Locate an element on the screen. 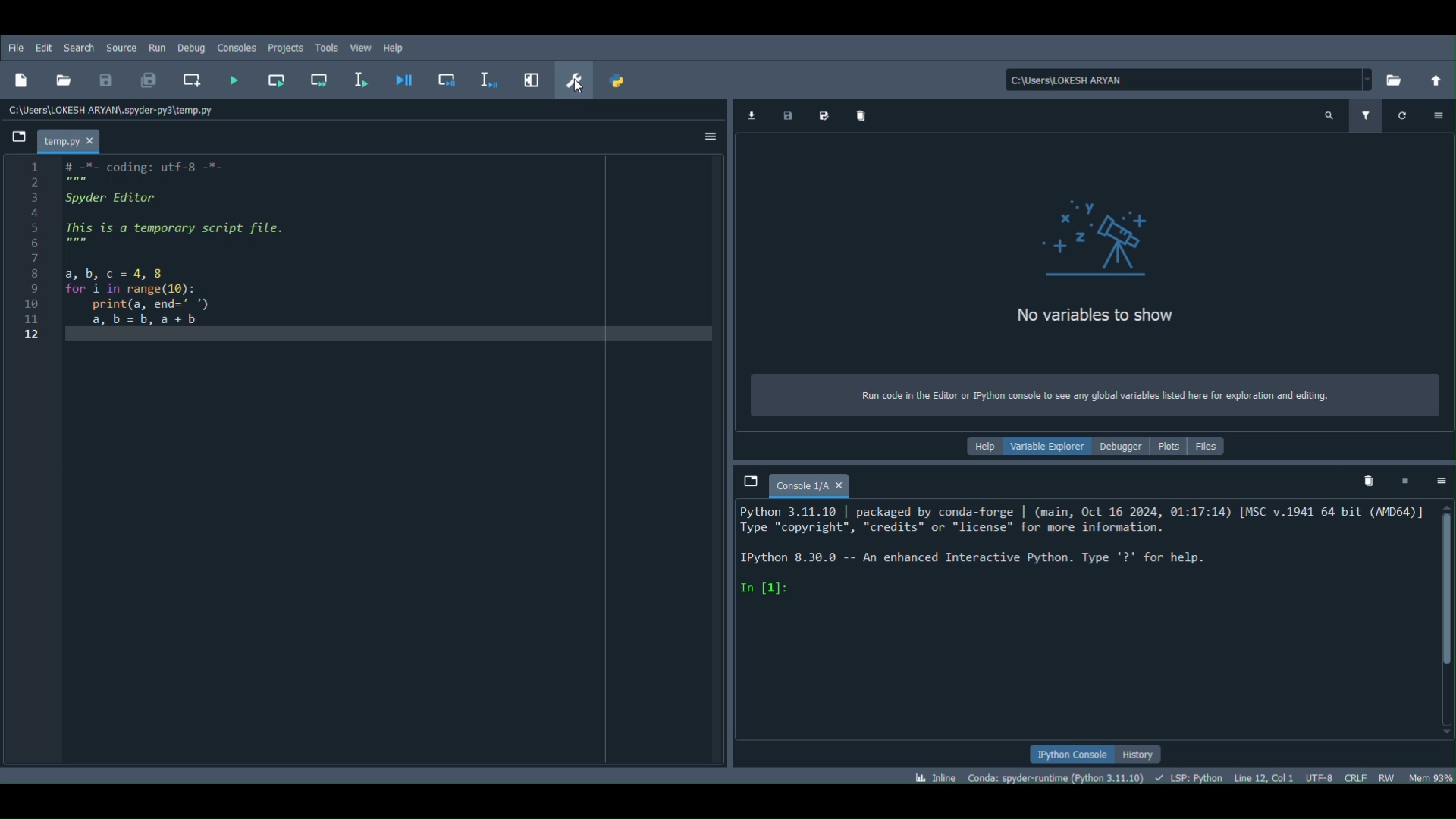 The height and width of the screenshot is (819, 1456). Source is located at coordinates (124, 47).